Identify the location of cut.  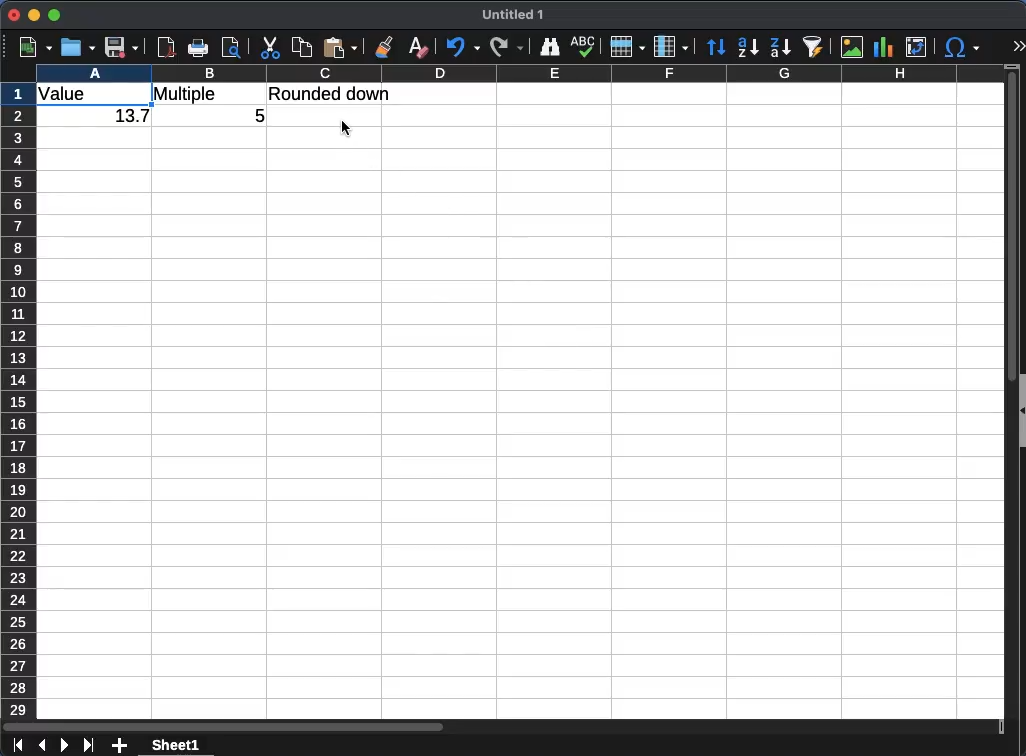
(271, 47).